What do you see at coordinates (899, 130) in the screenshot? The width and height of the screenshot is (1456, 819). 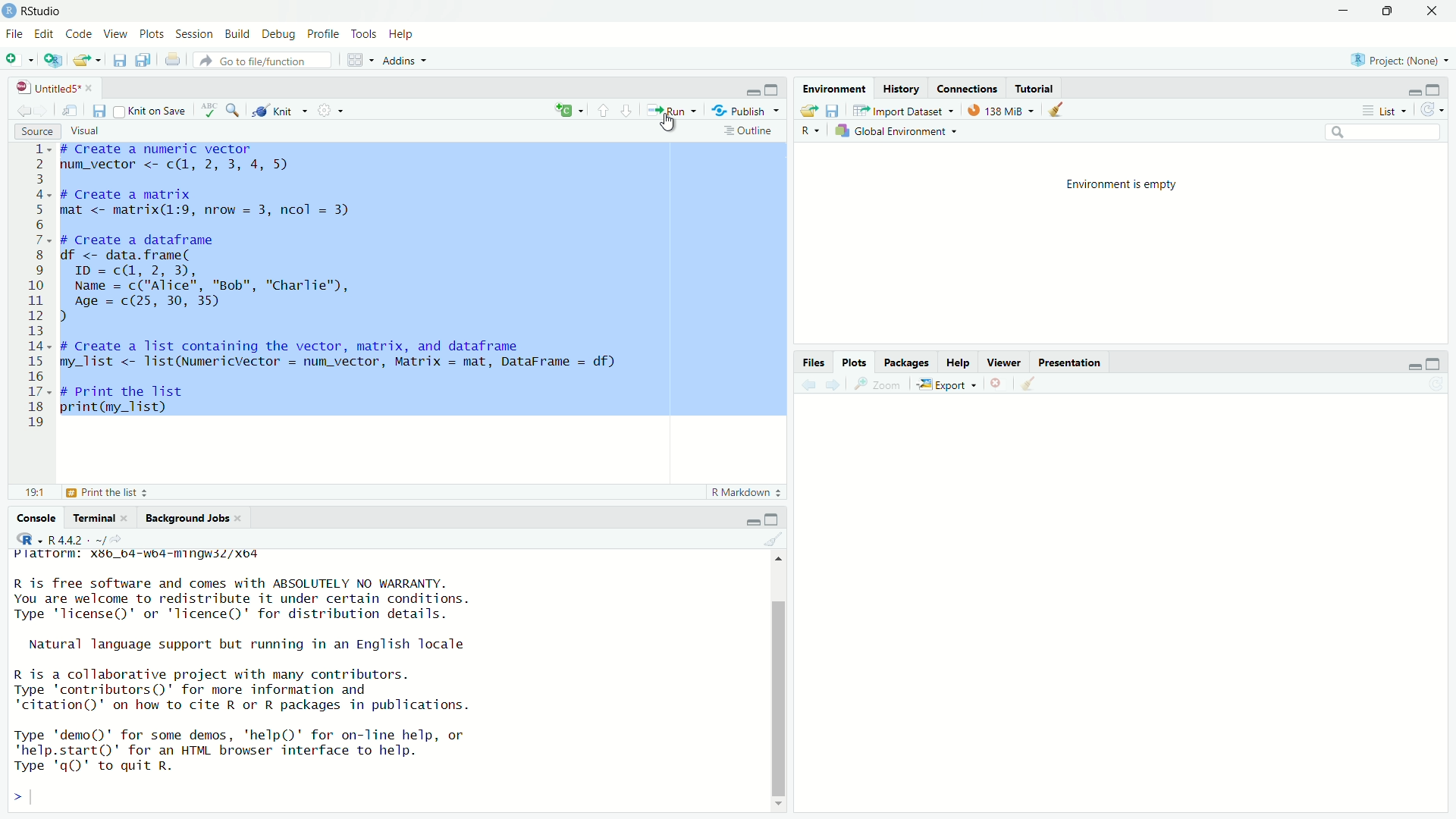 I see `Global Environment` at bounding box center [899, 130].